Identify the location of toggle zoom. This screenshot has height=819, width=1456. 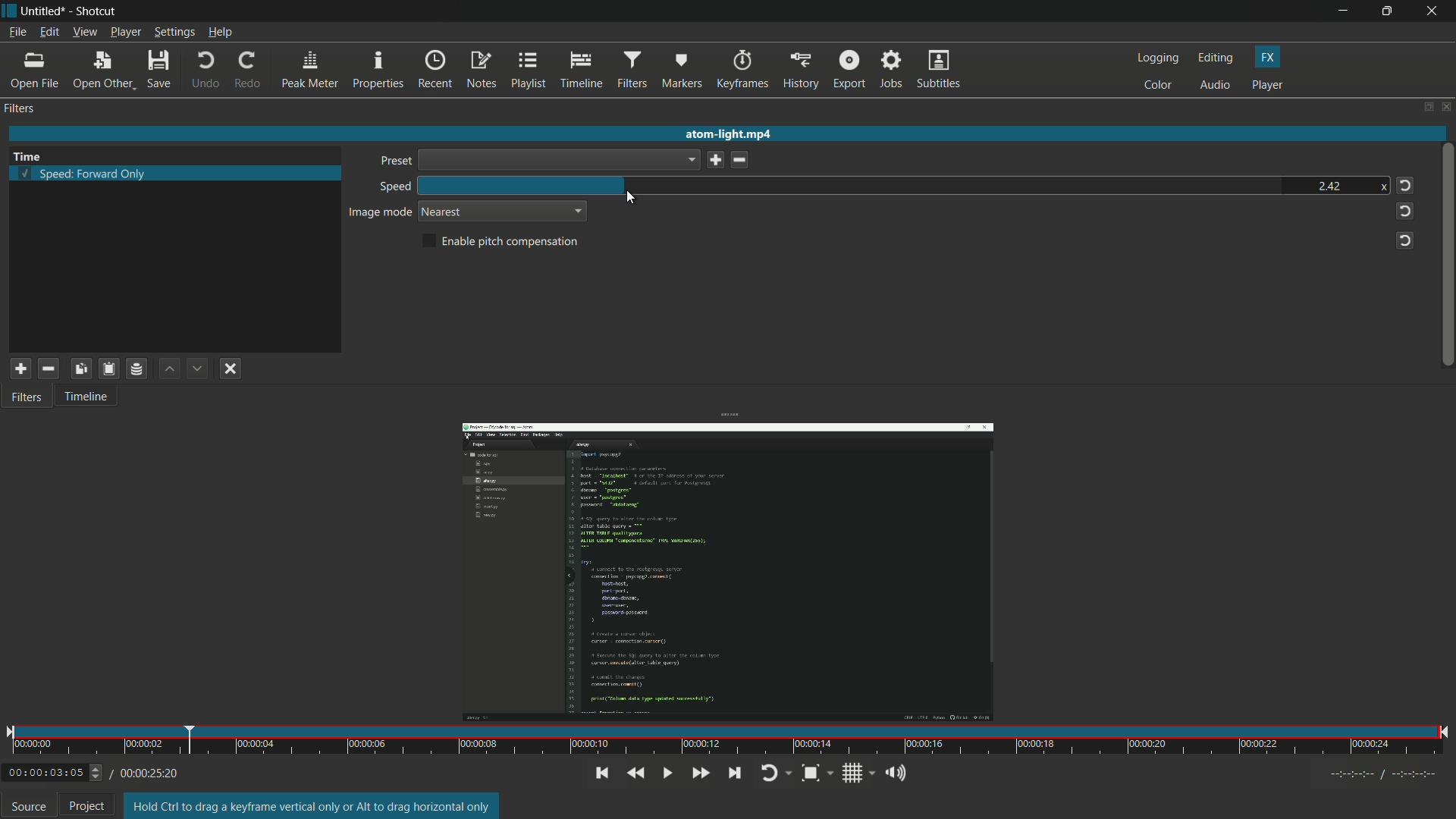
(814, 773).